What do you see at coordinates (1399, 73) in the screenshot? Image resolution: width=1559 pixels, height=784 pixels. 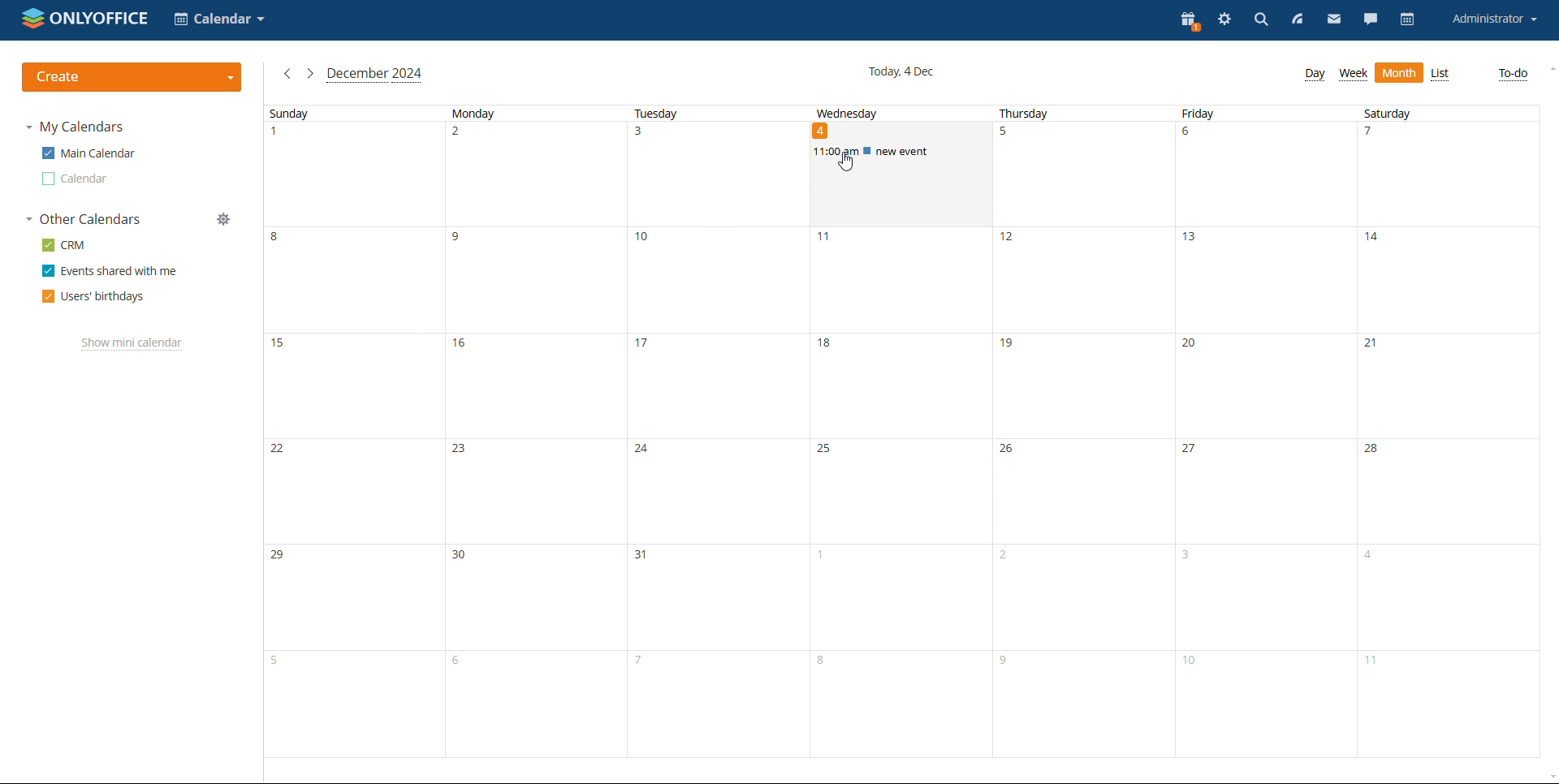 I see `list view` at bounding box center [1399, 73].